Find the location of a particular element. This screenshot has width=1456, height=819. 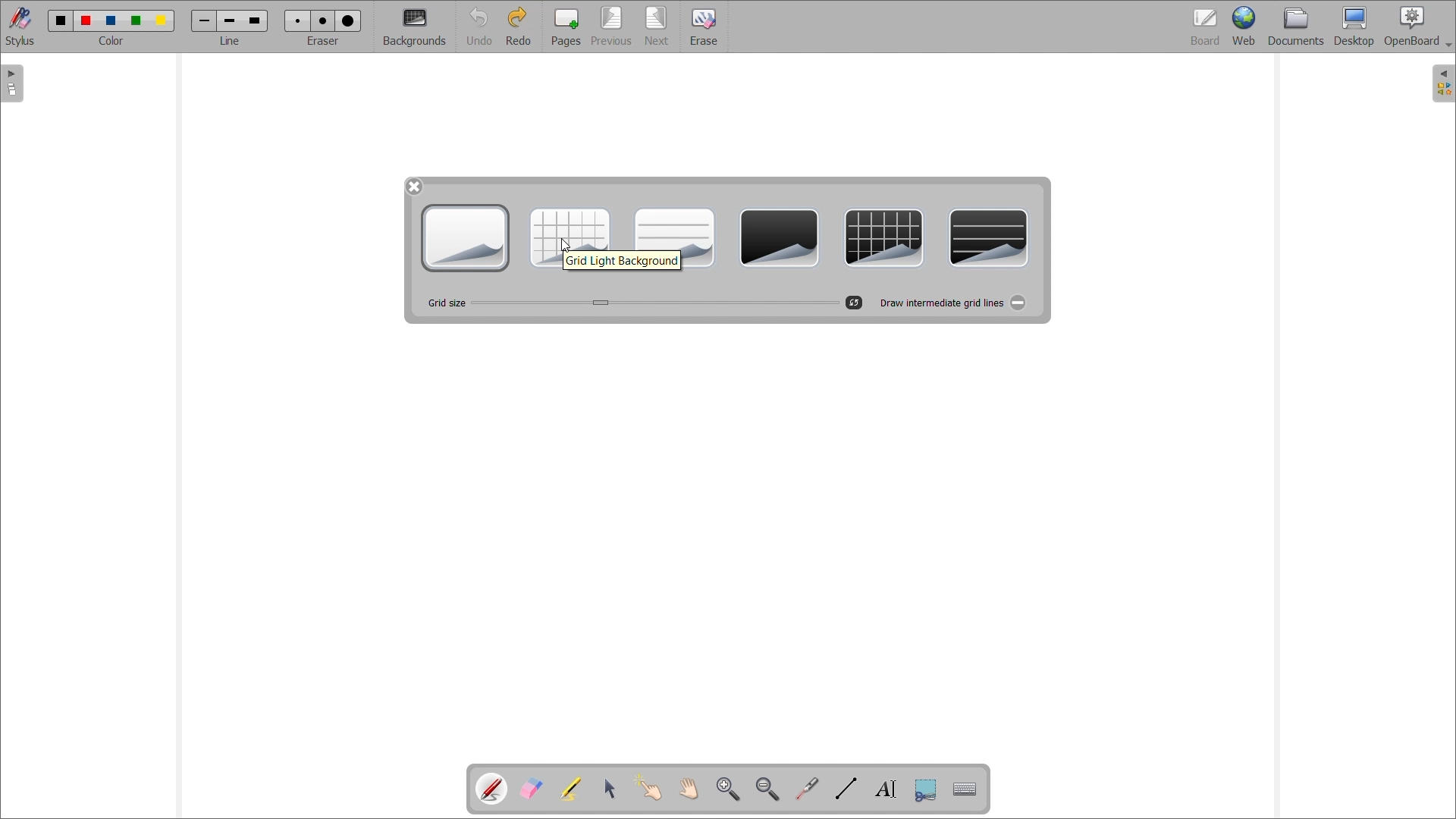

Eraser  is located at coordinates (322, 41).